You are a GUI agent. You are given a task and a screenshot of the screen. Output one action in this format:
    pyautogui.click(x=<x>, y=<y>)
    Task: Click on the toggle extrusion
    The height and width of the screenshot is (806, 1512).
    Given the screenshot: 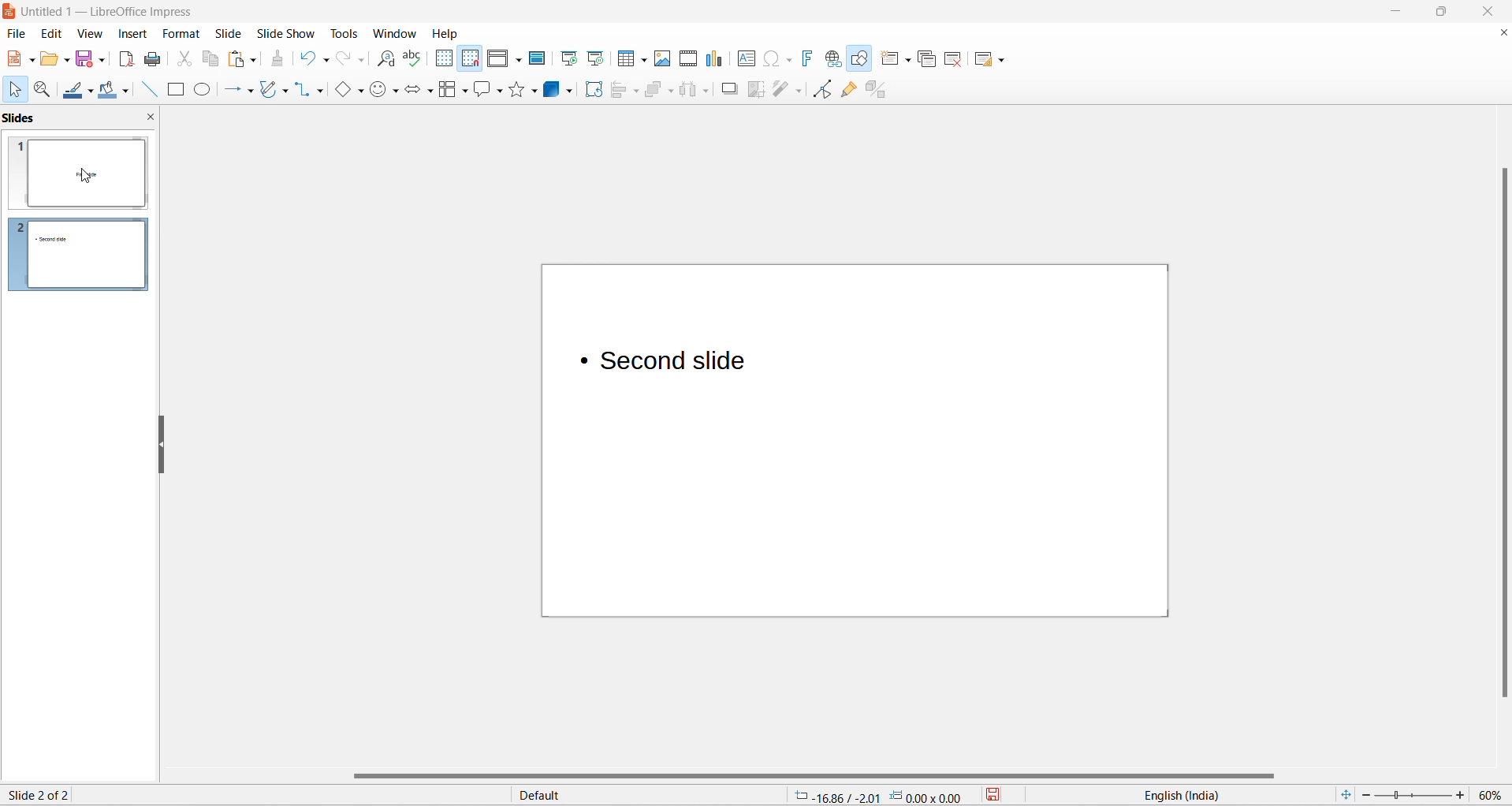 What is the action you would take?
    pyautogui.click(x=888, y=91)
    